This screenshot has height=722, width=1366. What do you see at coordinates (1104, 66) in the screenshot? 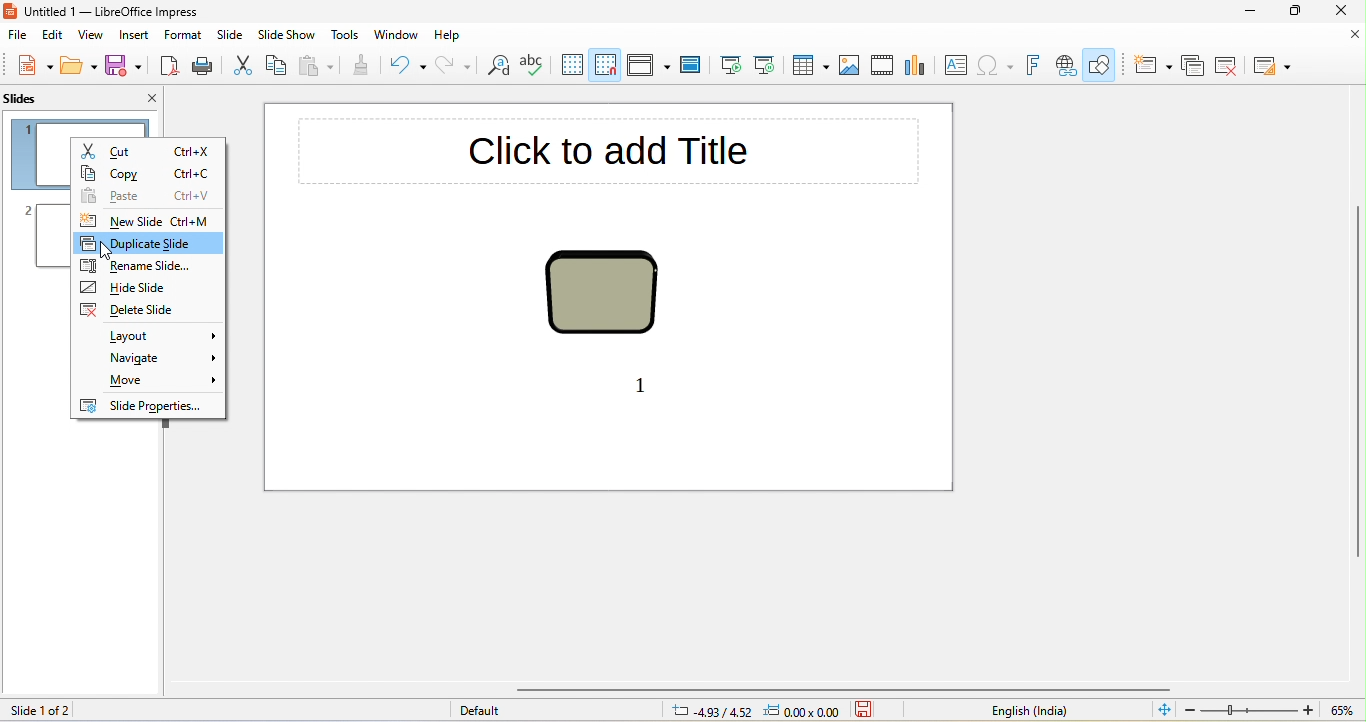
I see `show draw function` at bounding box center [1104, 66].